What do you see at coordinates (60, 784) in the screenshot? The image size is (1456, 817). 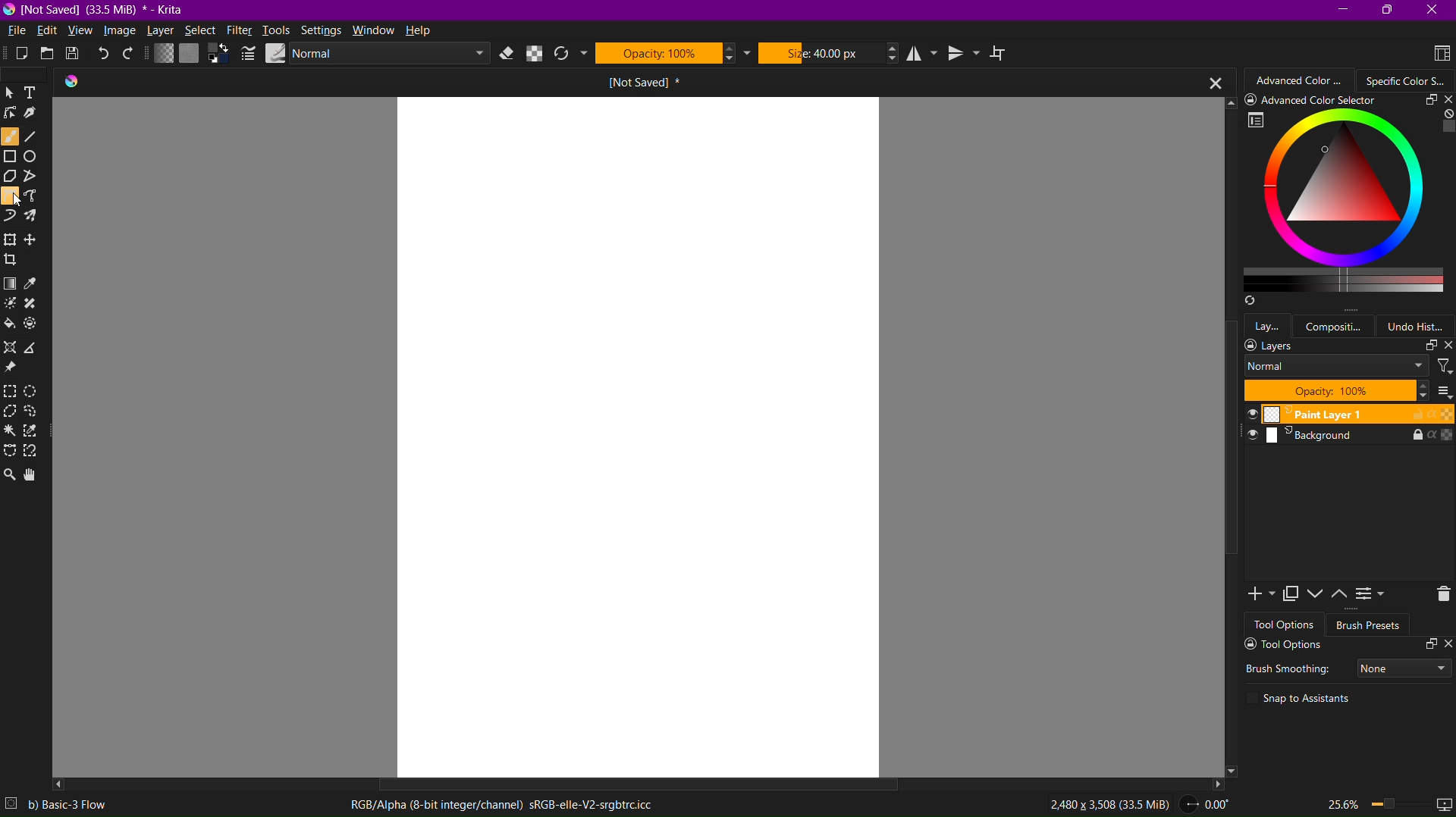 I see `Left` at bounding box center [60, 784].